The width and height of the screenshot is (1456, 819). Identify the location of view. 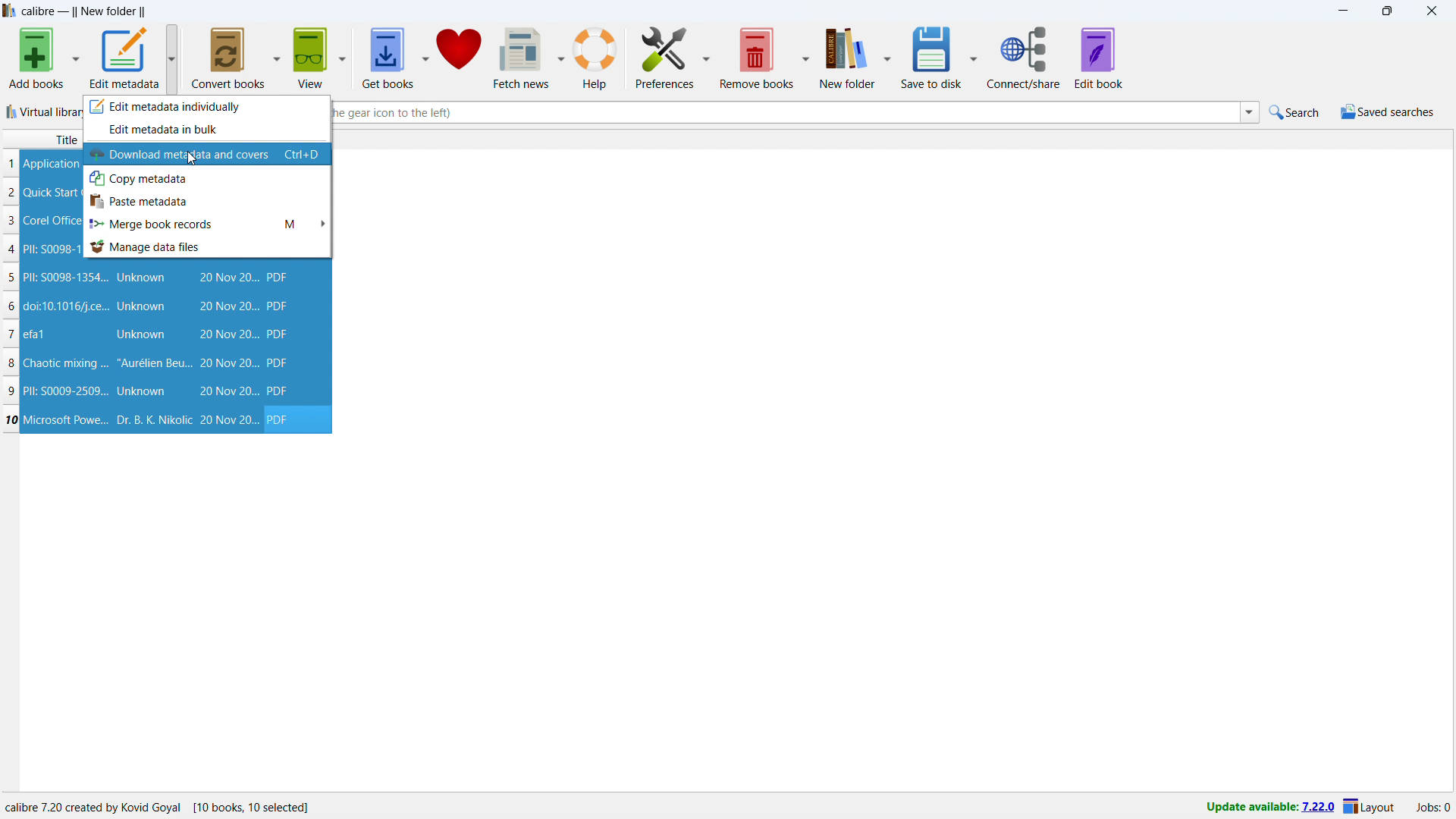
(310, 58).